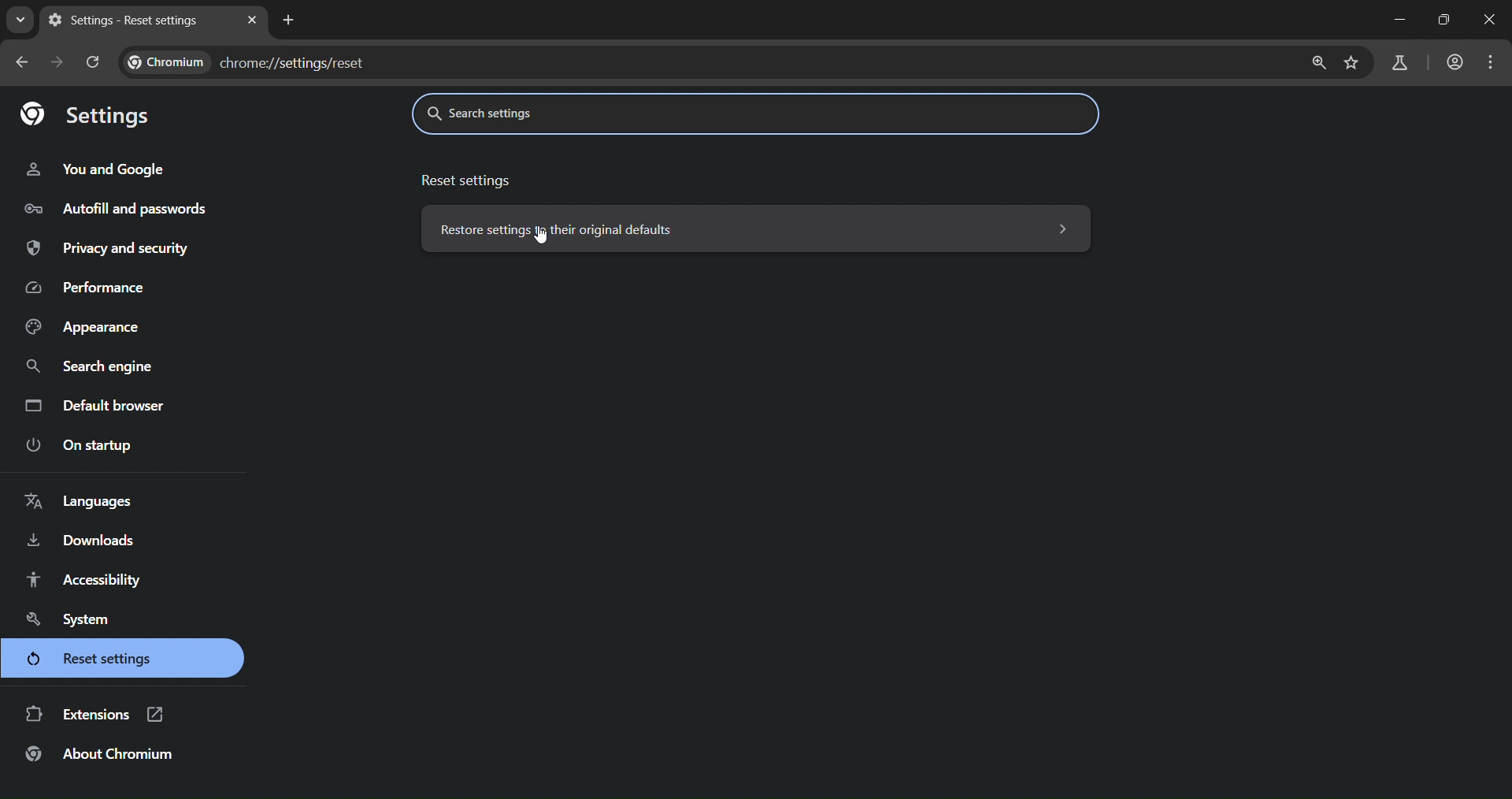 This screenshot has height=799, width=1512. What do you see at coordinates (112, 247) in the screenshot?
I see `privacy and security` at bounding box center [112, 247].